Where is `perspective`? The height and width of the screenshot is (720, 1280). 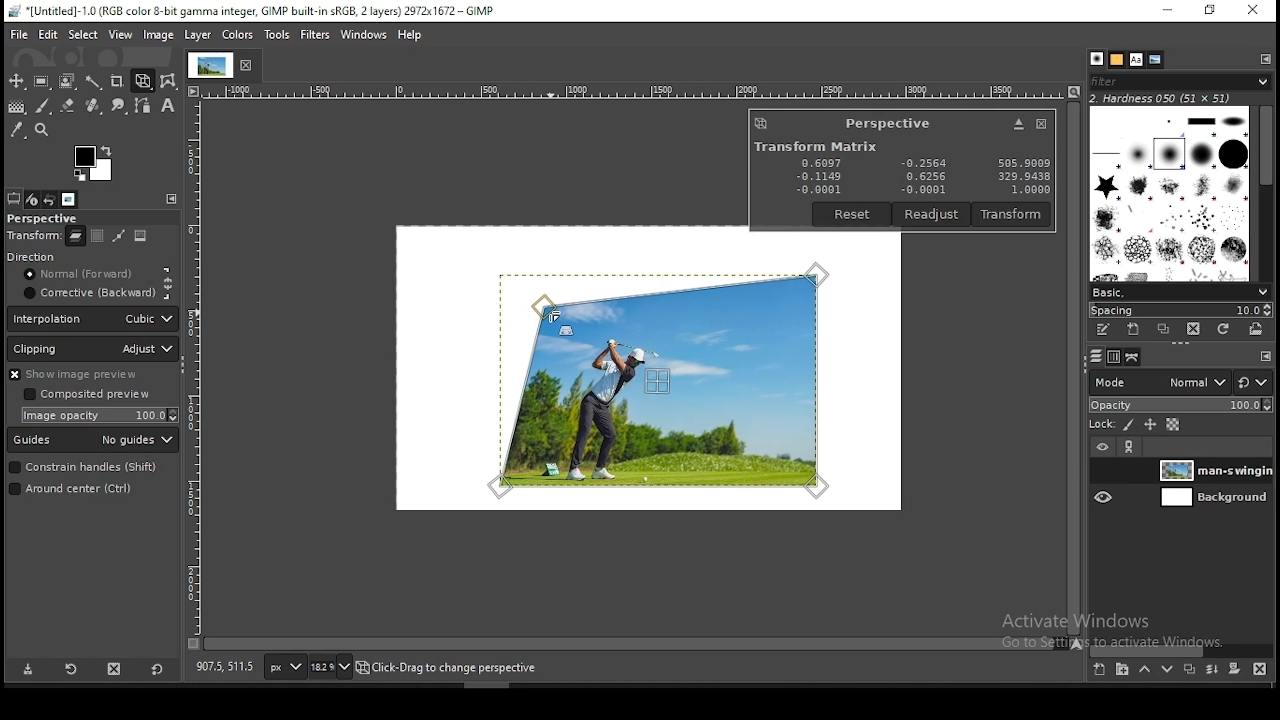 perspective is located at coordinates (888, 123).